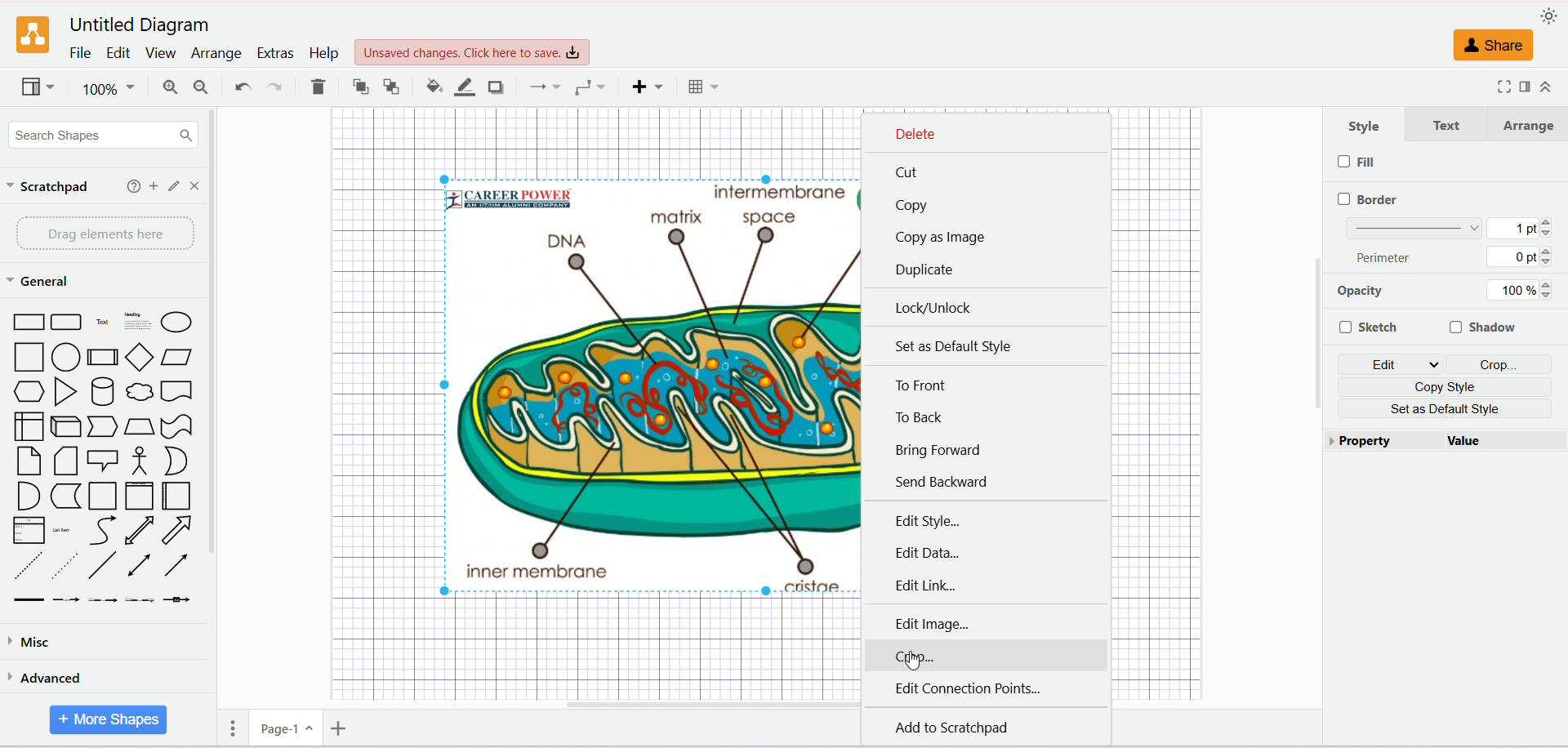 This screenshot has height=748, width=1568. Describe the element at coordinates (103, 427) in the screenshot. I see `Step` at that location.